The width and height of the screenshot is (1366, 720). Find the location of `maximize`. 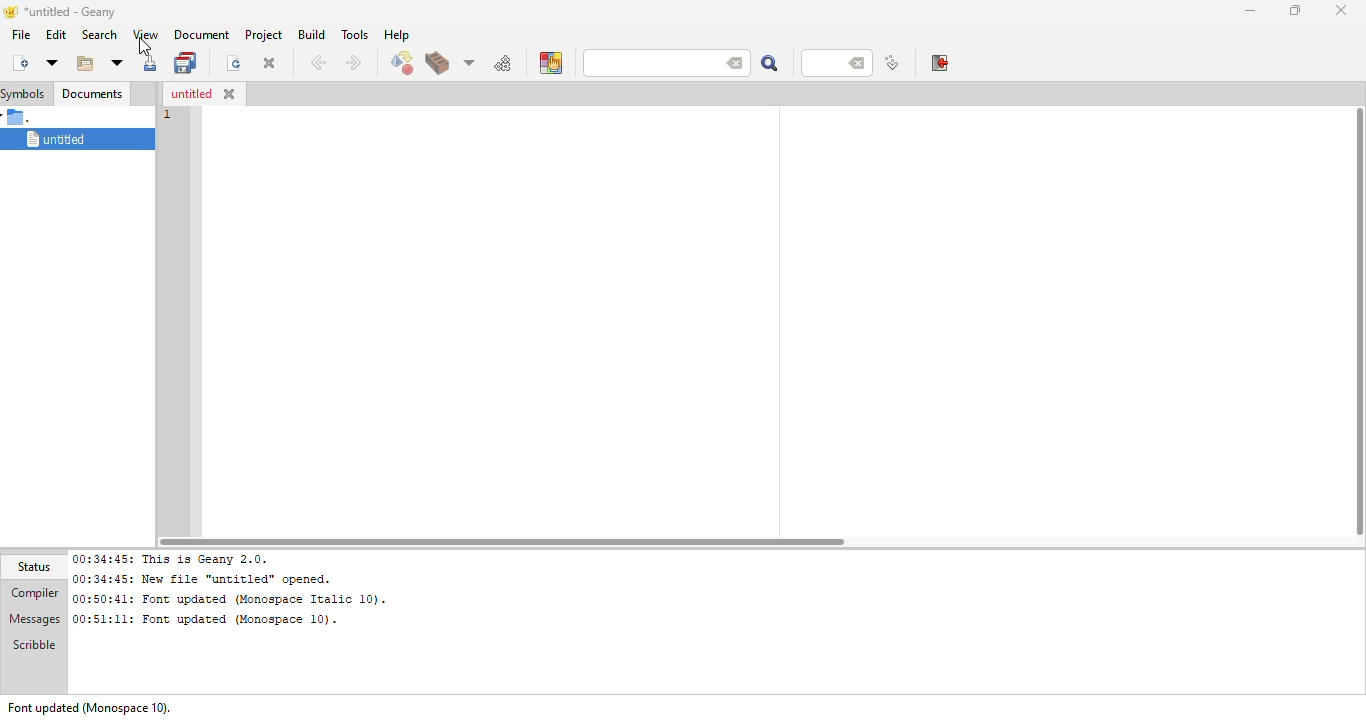

maximize is located at coordinates (1293, 9).